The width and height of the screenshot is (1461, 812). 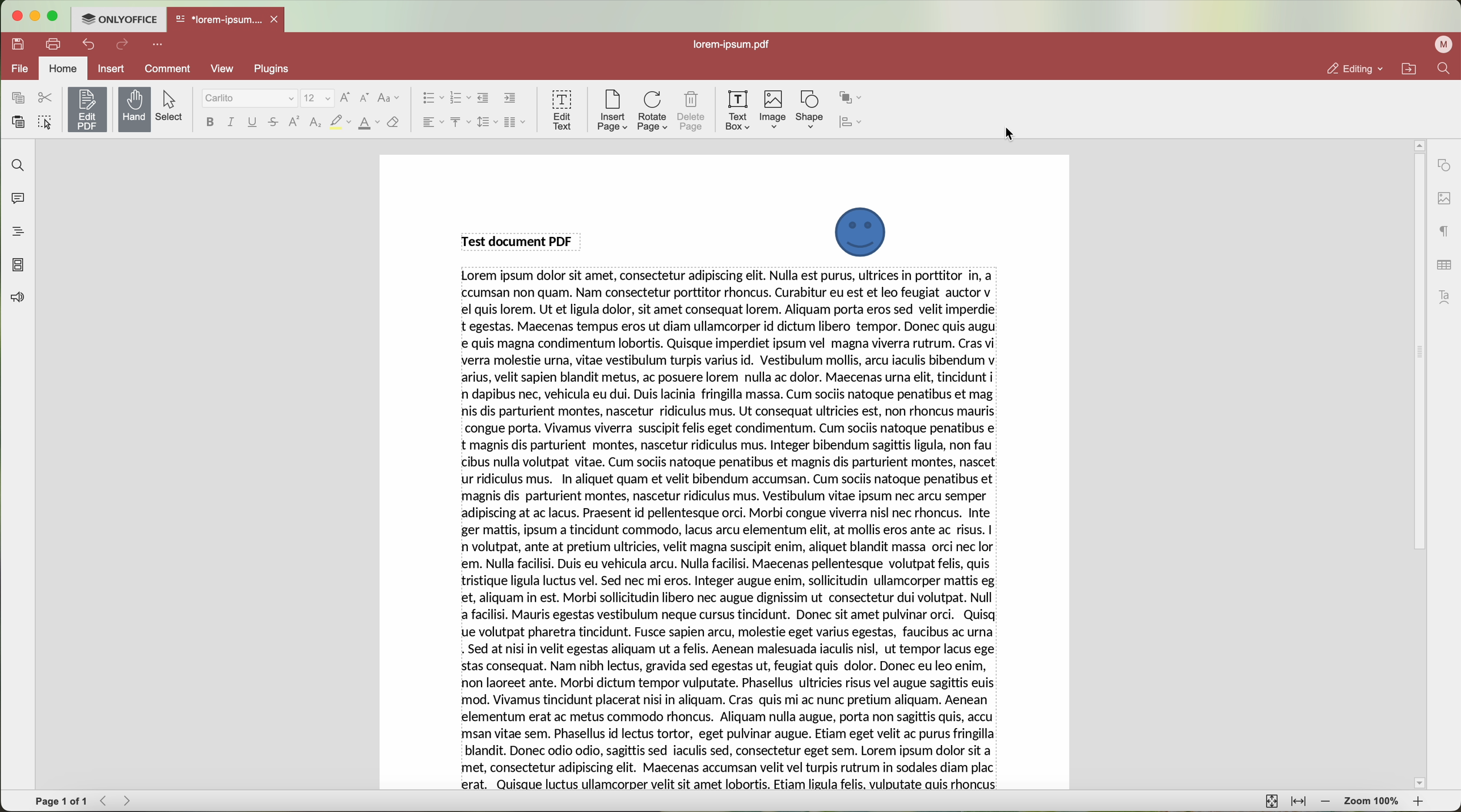 What do you see at coordinates (230, 121) in the screenshot?
I see `italic` at bounding box center [230, 121].